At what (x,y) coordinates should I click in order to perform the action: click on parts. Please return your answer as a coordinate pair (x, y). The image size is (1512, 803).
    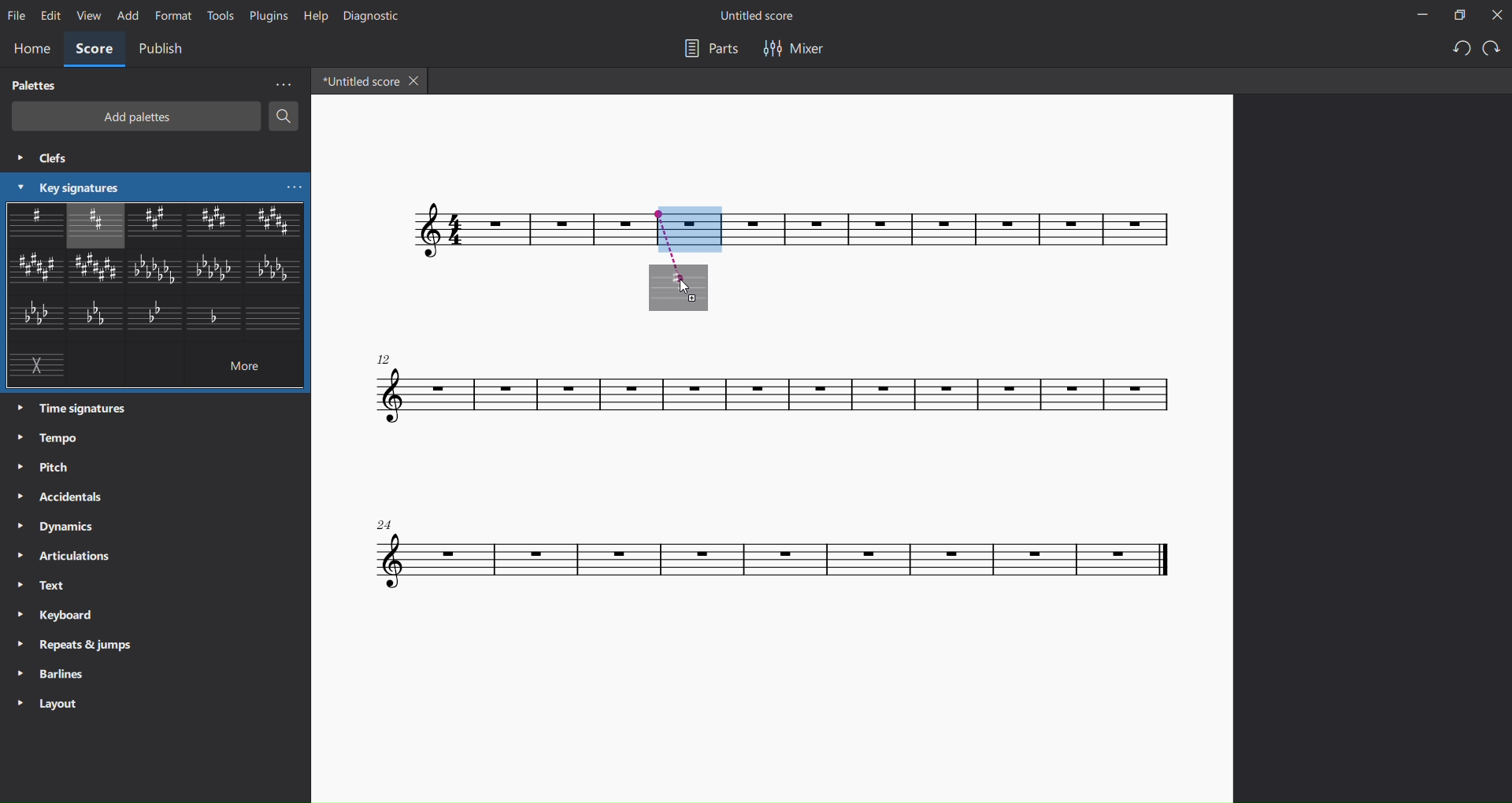
    Looking at the image, I should click on (707, 47).